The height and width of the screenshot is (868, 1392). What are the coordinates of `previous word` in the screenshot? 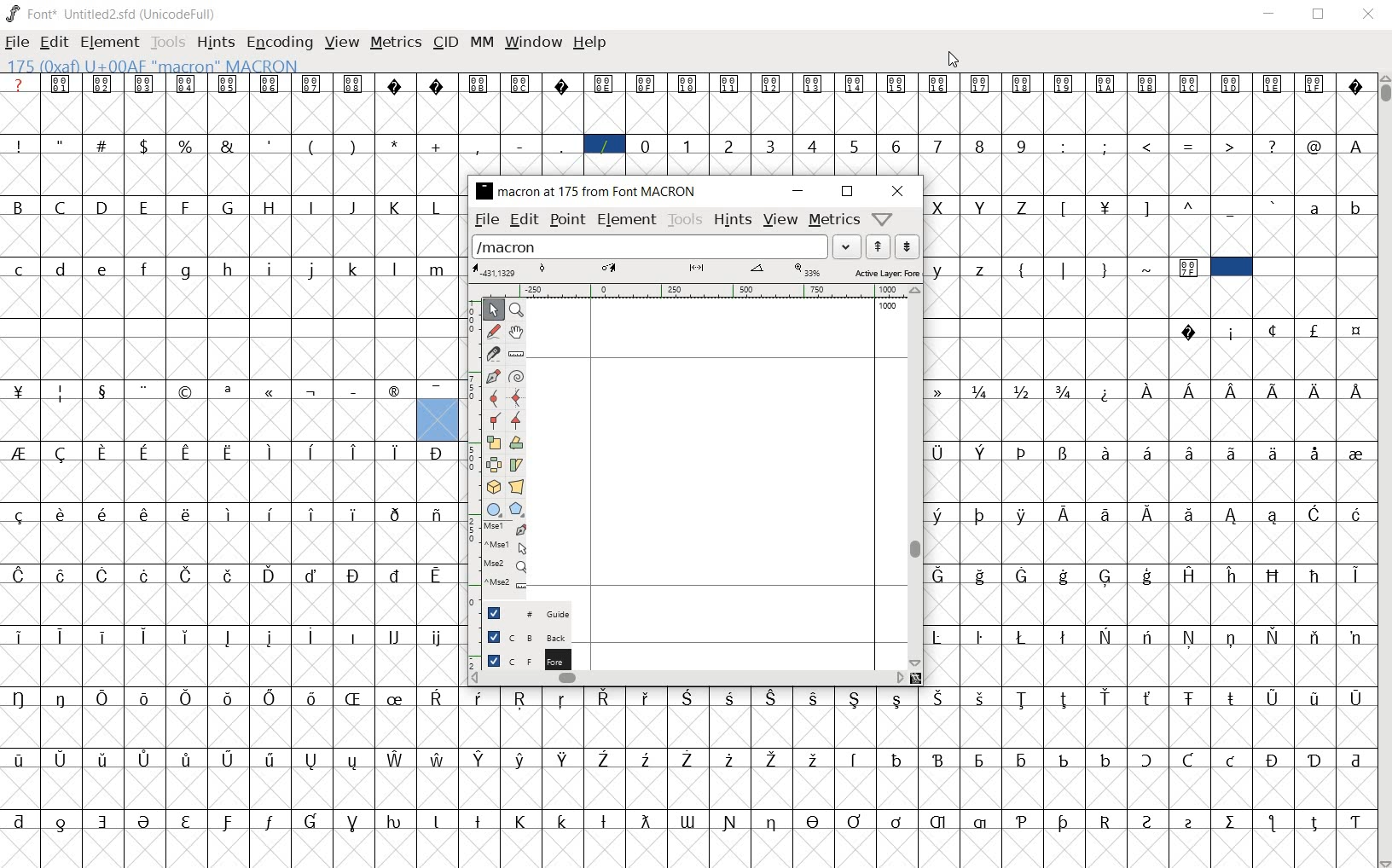 It's located at (879, 246).